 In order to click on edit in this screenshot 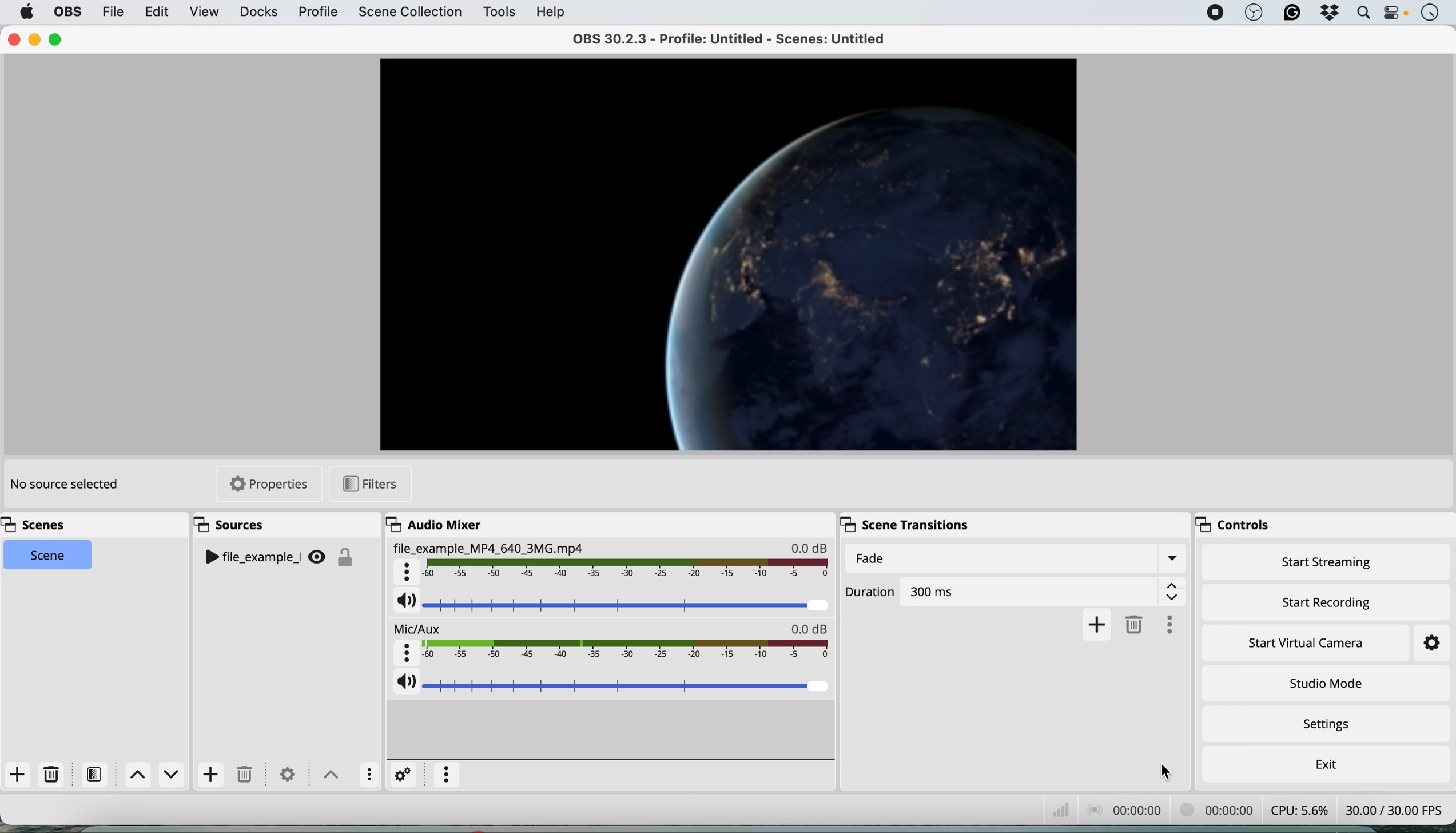, I will do `click(155, 11)`.